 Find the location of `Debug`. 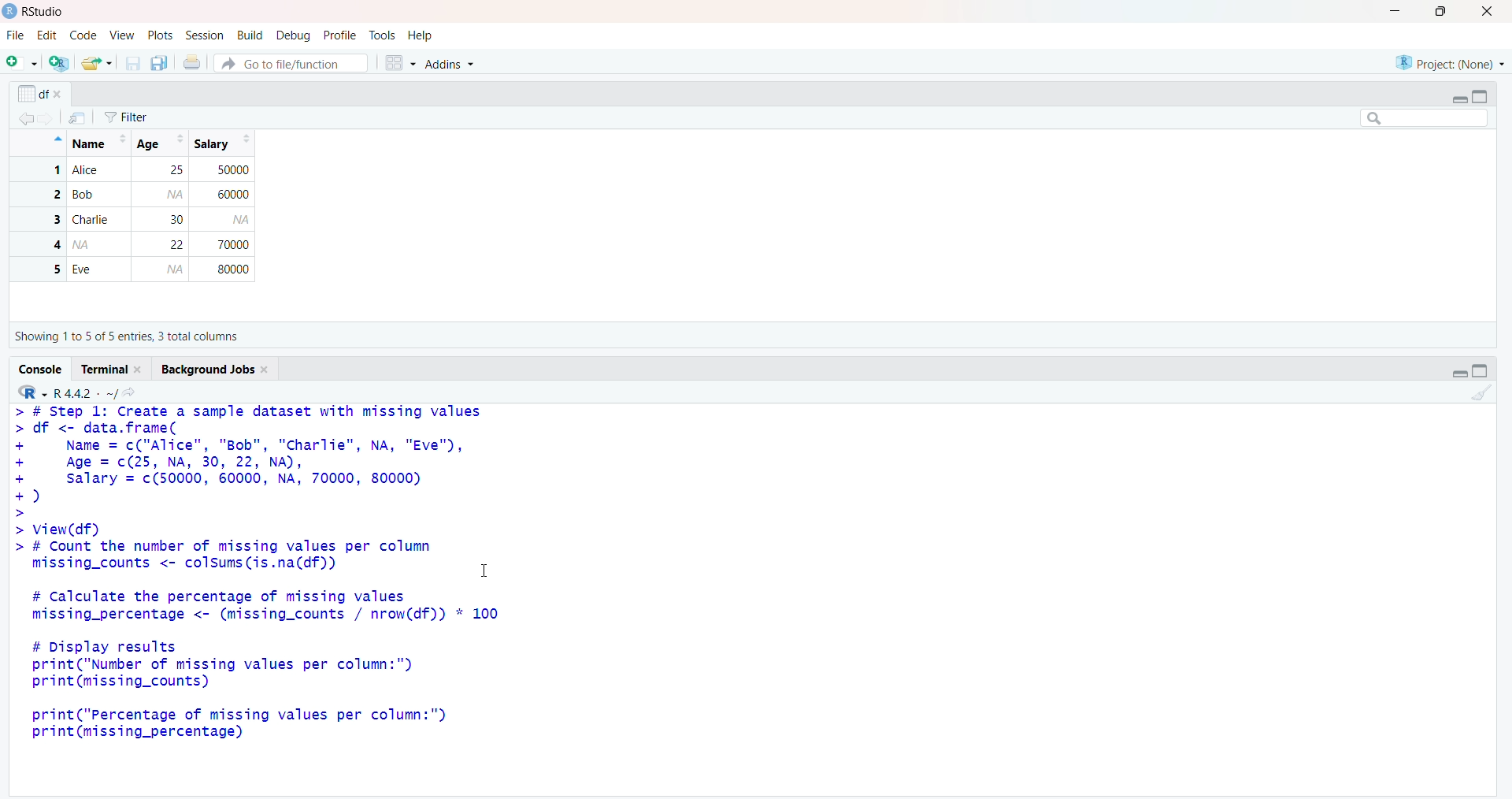

Debug is located at coordinates (295, 34).